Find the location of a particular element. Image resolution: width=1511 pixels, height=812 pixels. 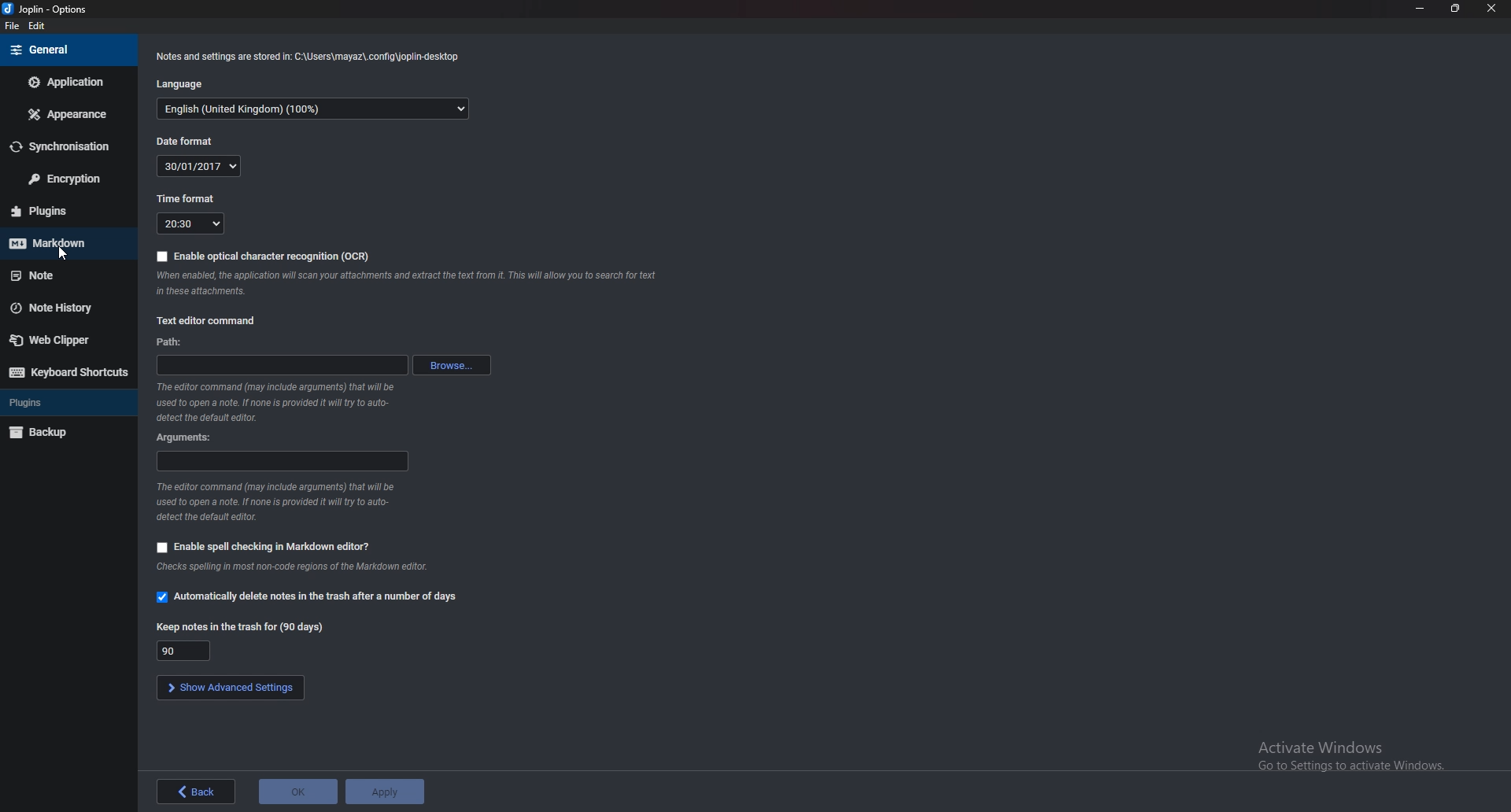

Text editor command is located at coordinates (207, 319).